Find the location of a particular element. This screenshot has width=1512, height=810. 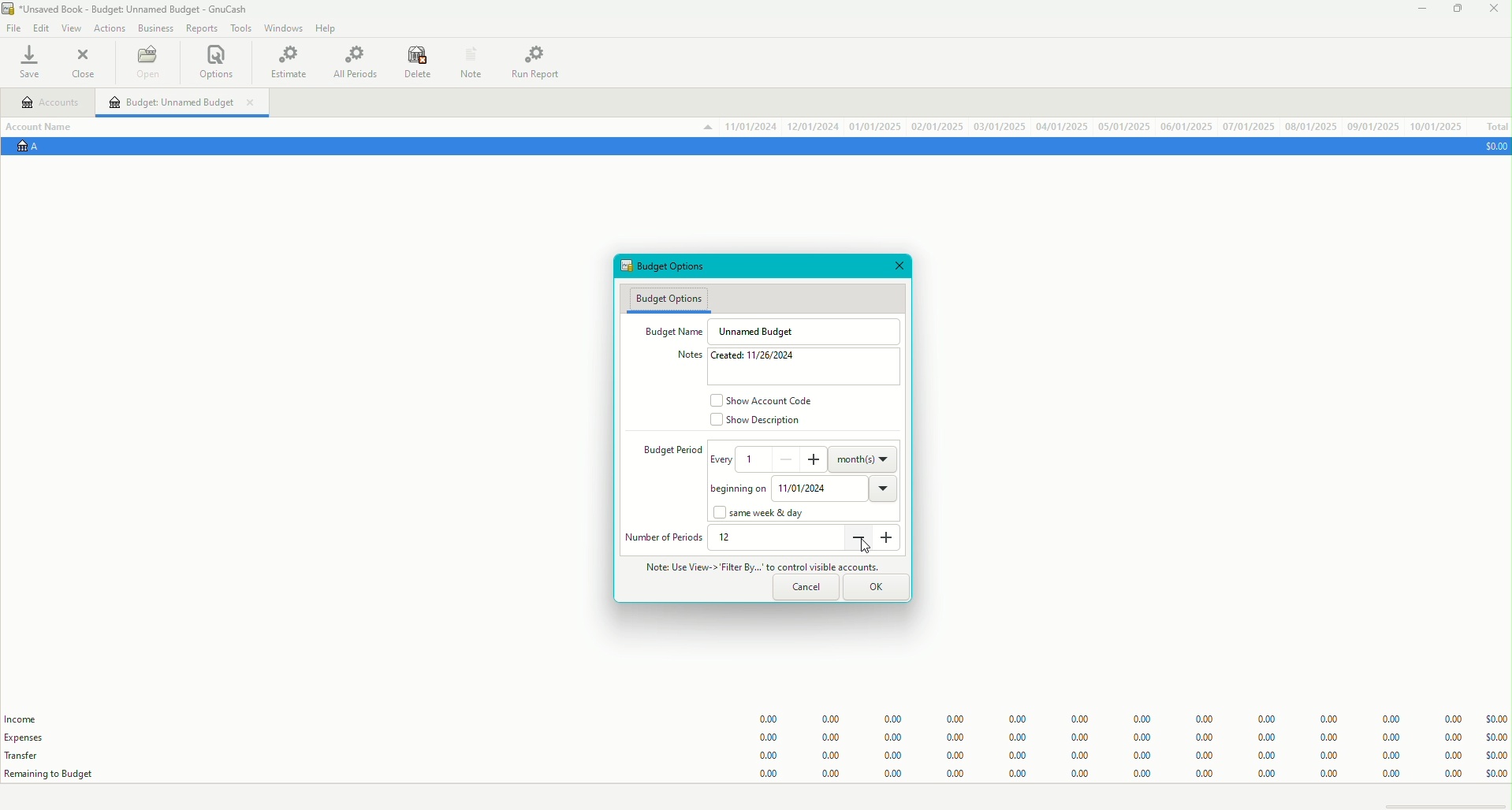

12 is located at coordinates (732, 538).